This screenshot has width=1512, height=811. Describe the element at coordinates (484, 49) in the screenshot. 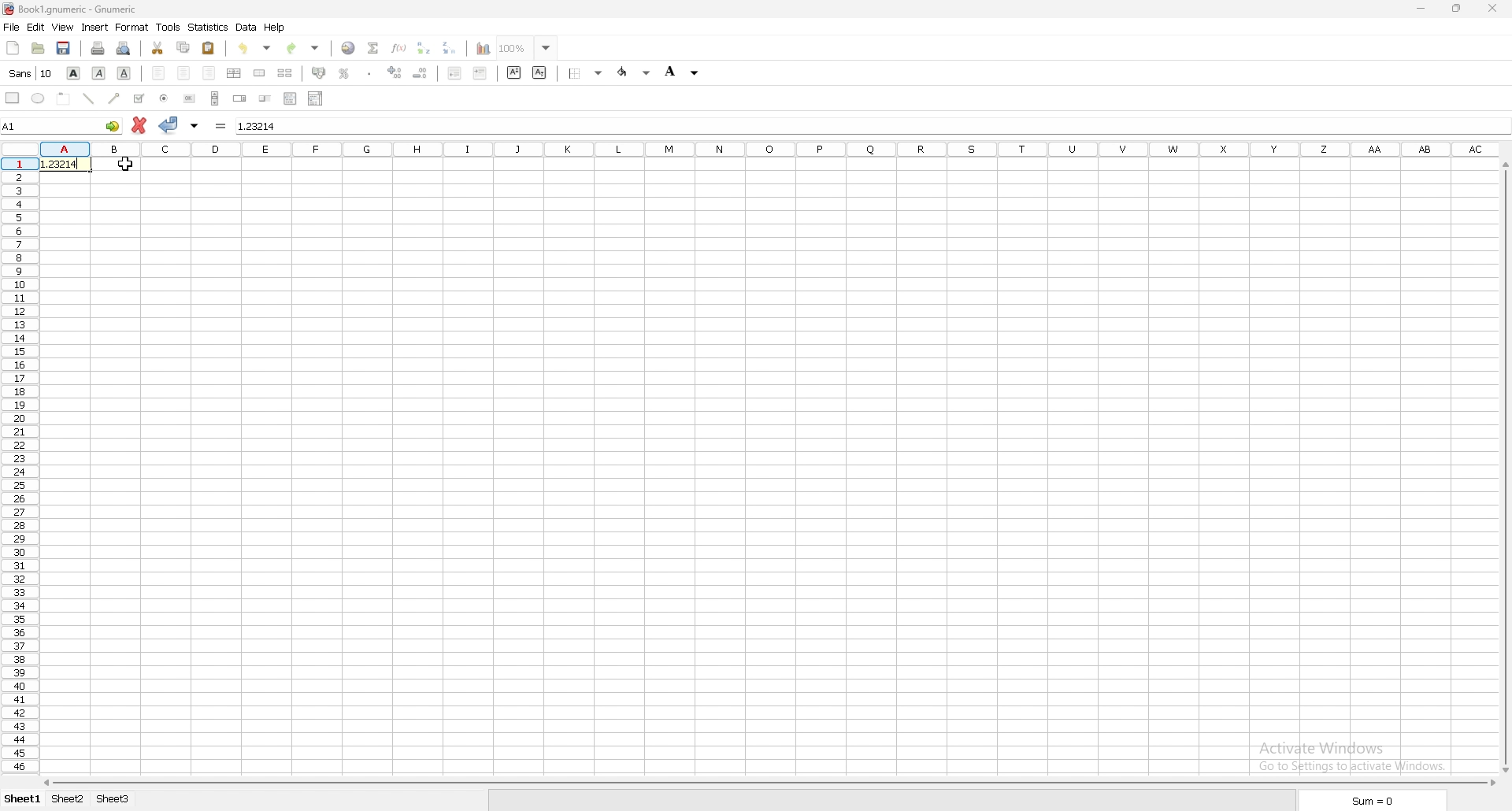

I see `chart` at that location.